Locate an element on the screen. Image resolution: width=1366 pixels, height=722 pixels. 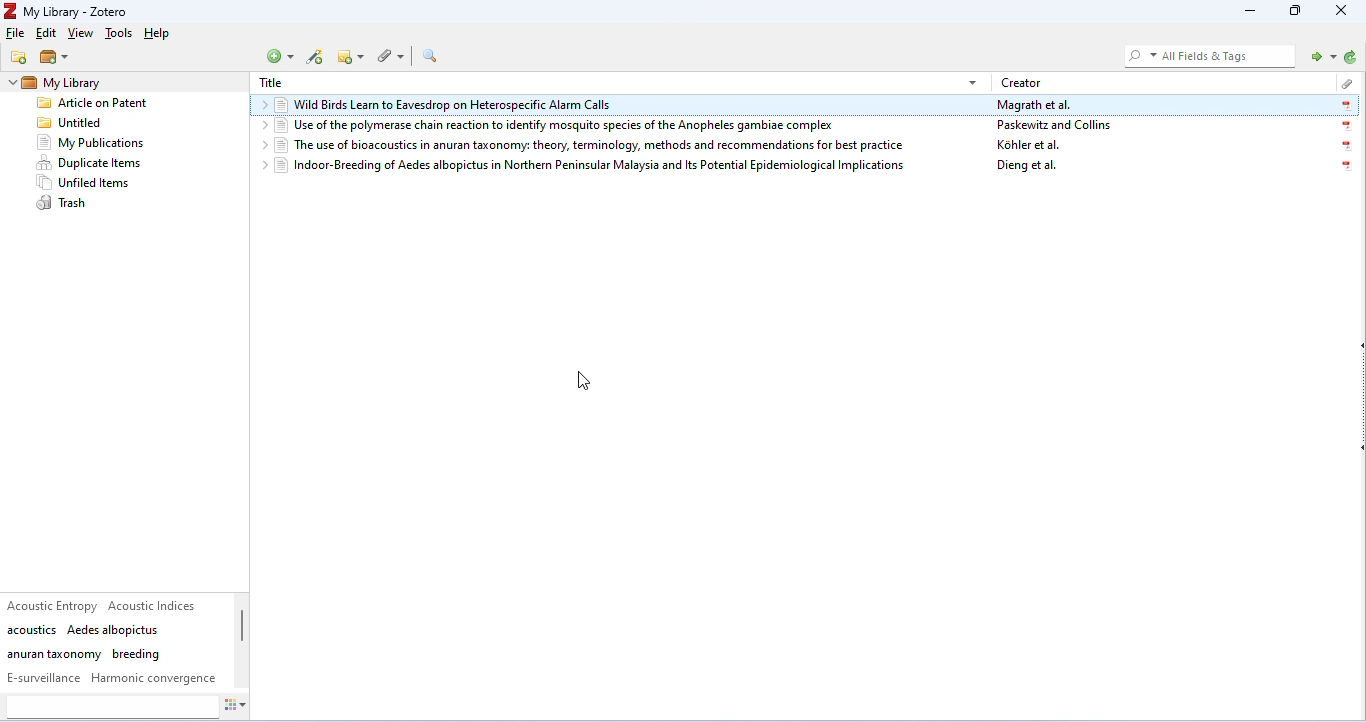
creator is located at coordinates (1023, 82).